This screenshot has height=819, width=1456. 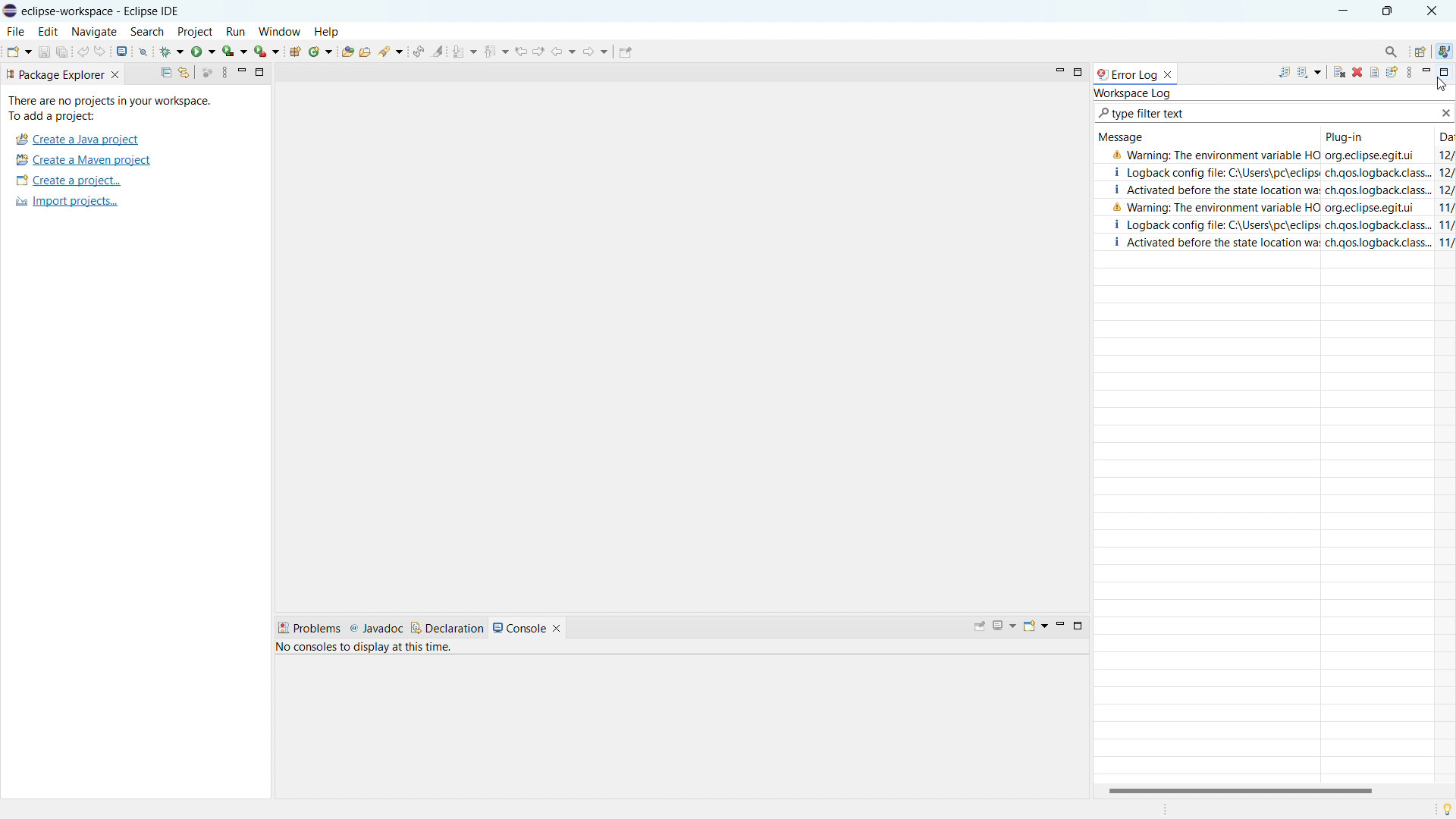 I want to click on create a java project, so click(x=77, y=140).